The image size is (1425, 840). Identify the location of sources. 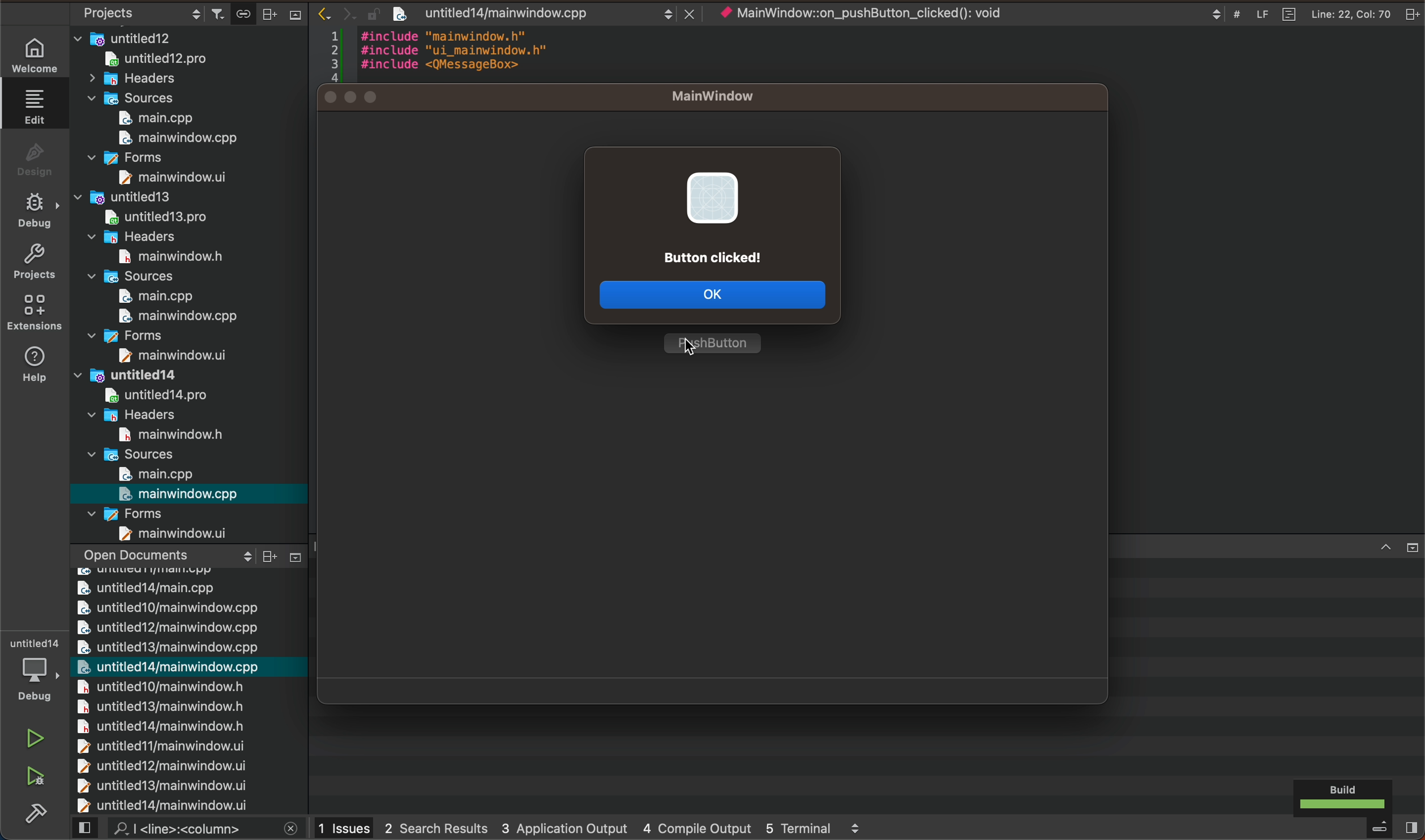
(133, 98).